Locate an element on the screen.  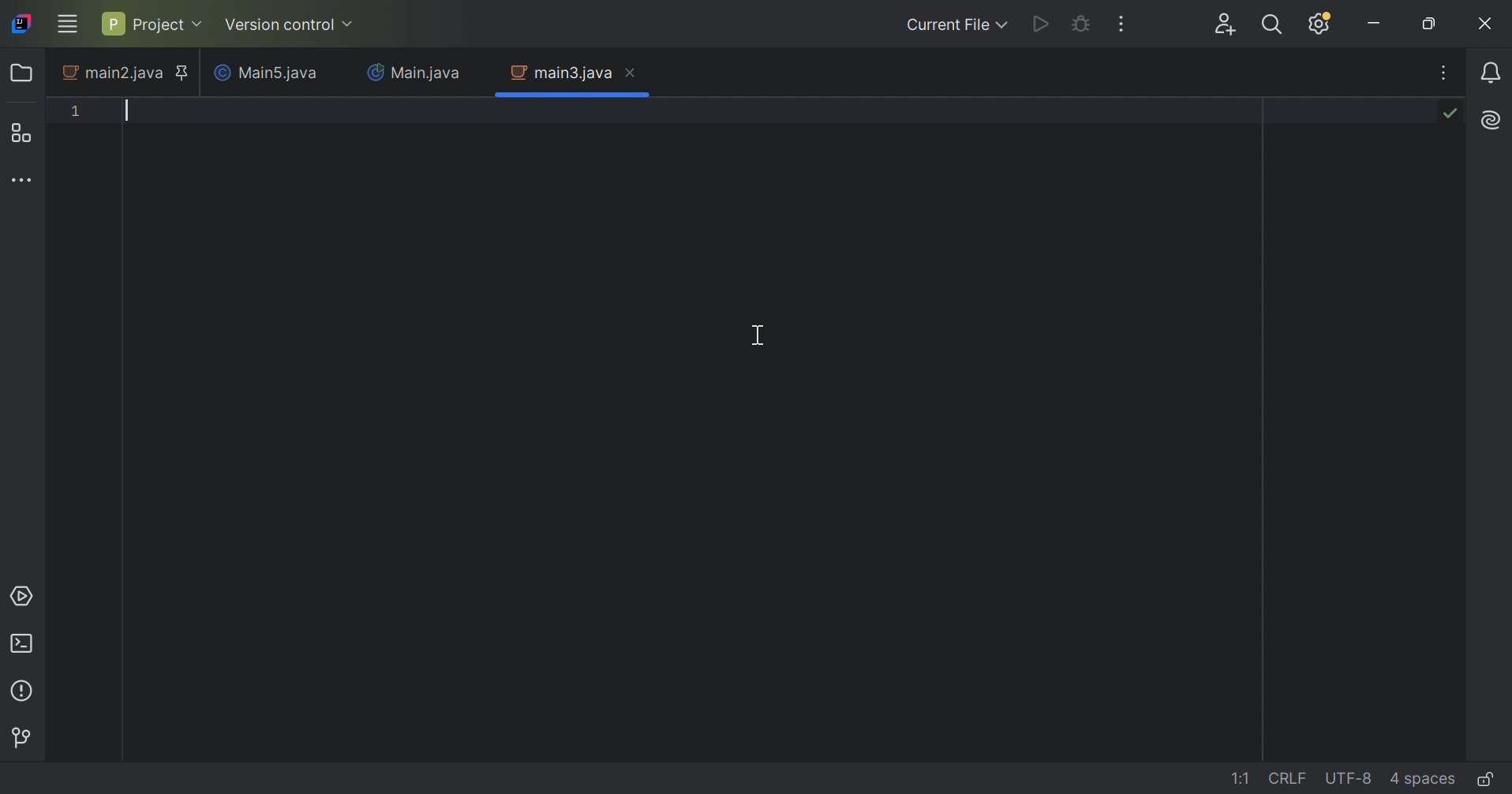
Search everywhere is located at coordinates (1273, 24).